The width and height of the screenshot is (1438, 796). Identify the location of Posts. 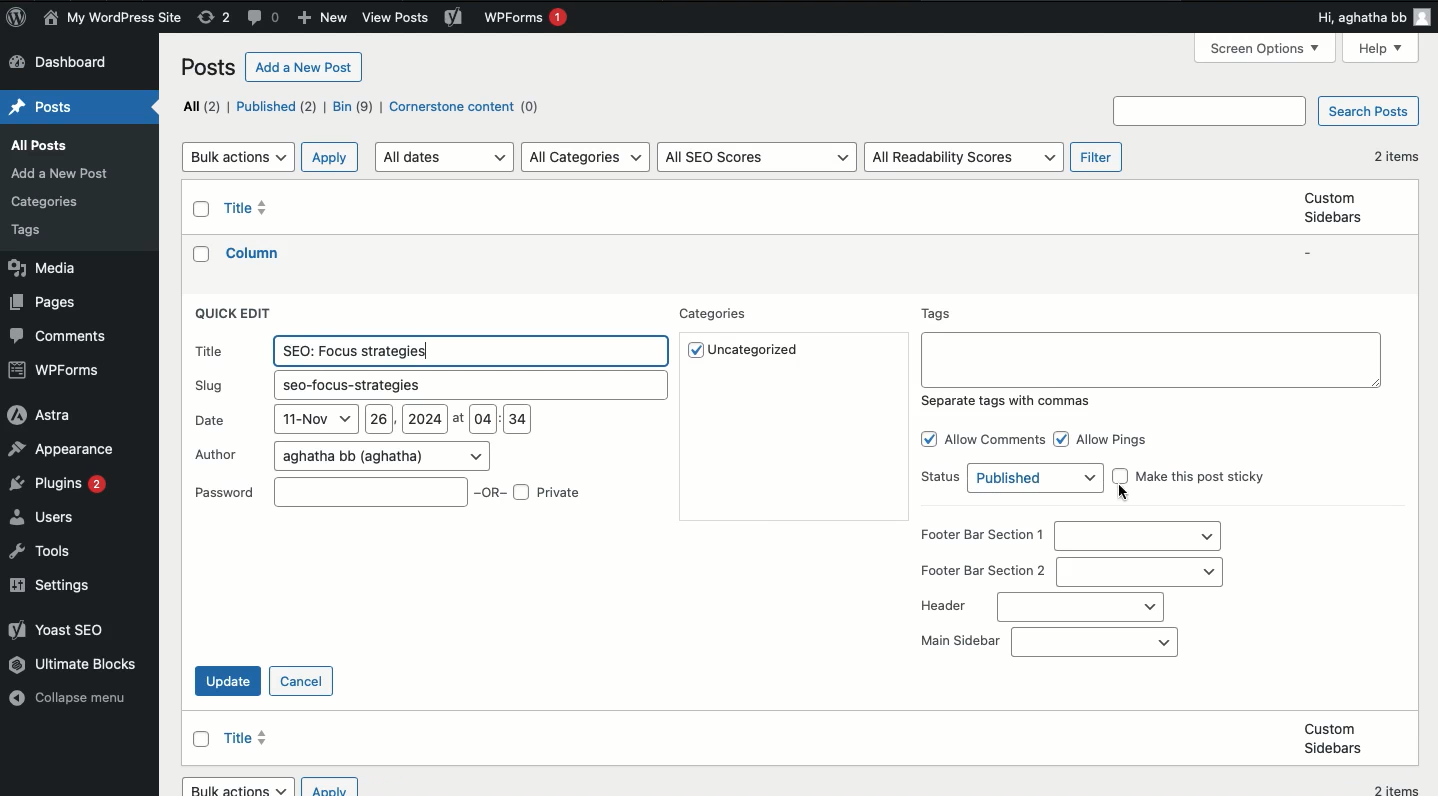
(64, 173).